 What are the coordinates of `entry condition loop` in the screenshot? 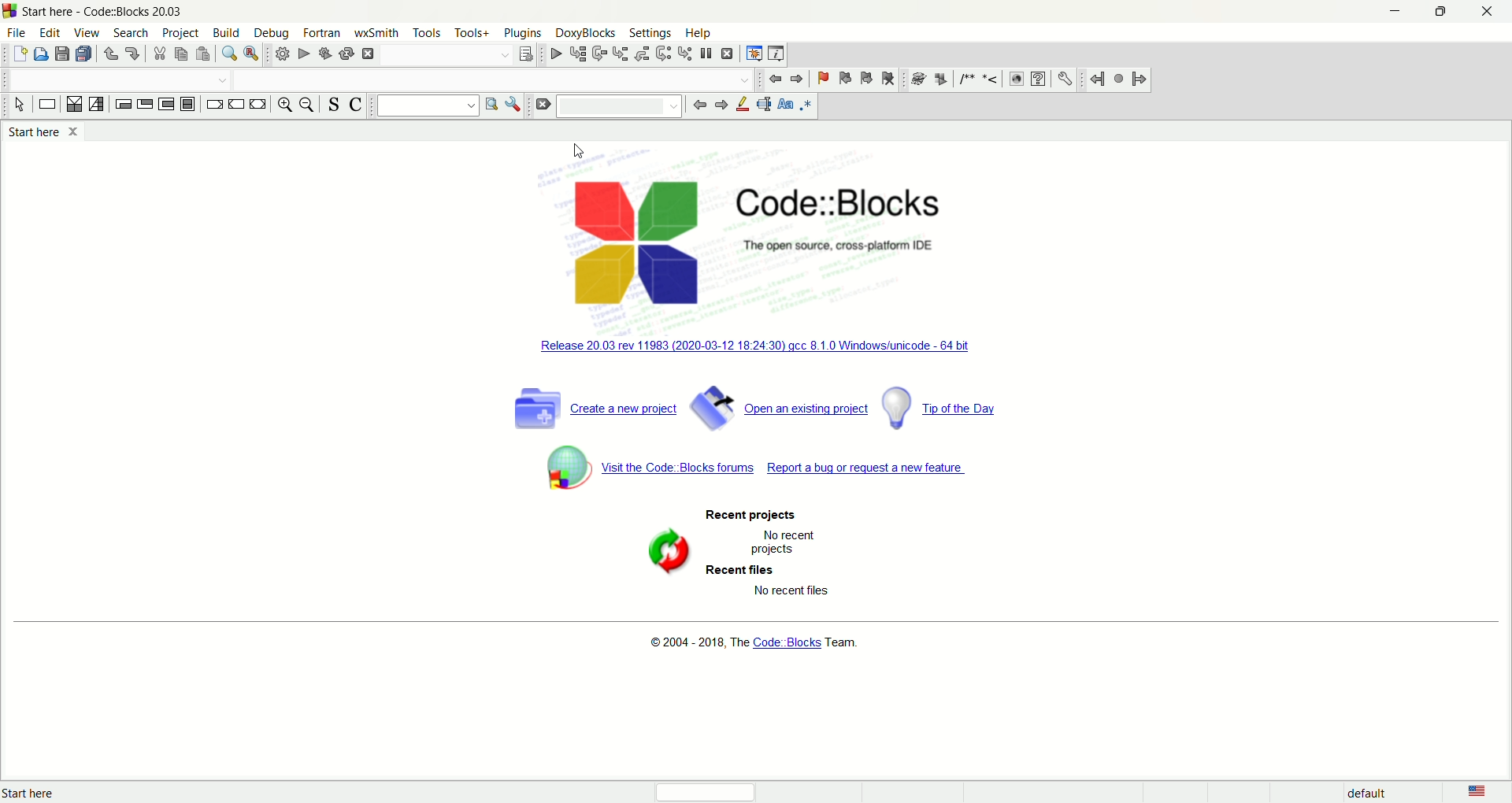 It's located at (124, 105).